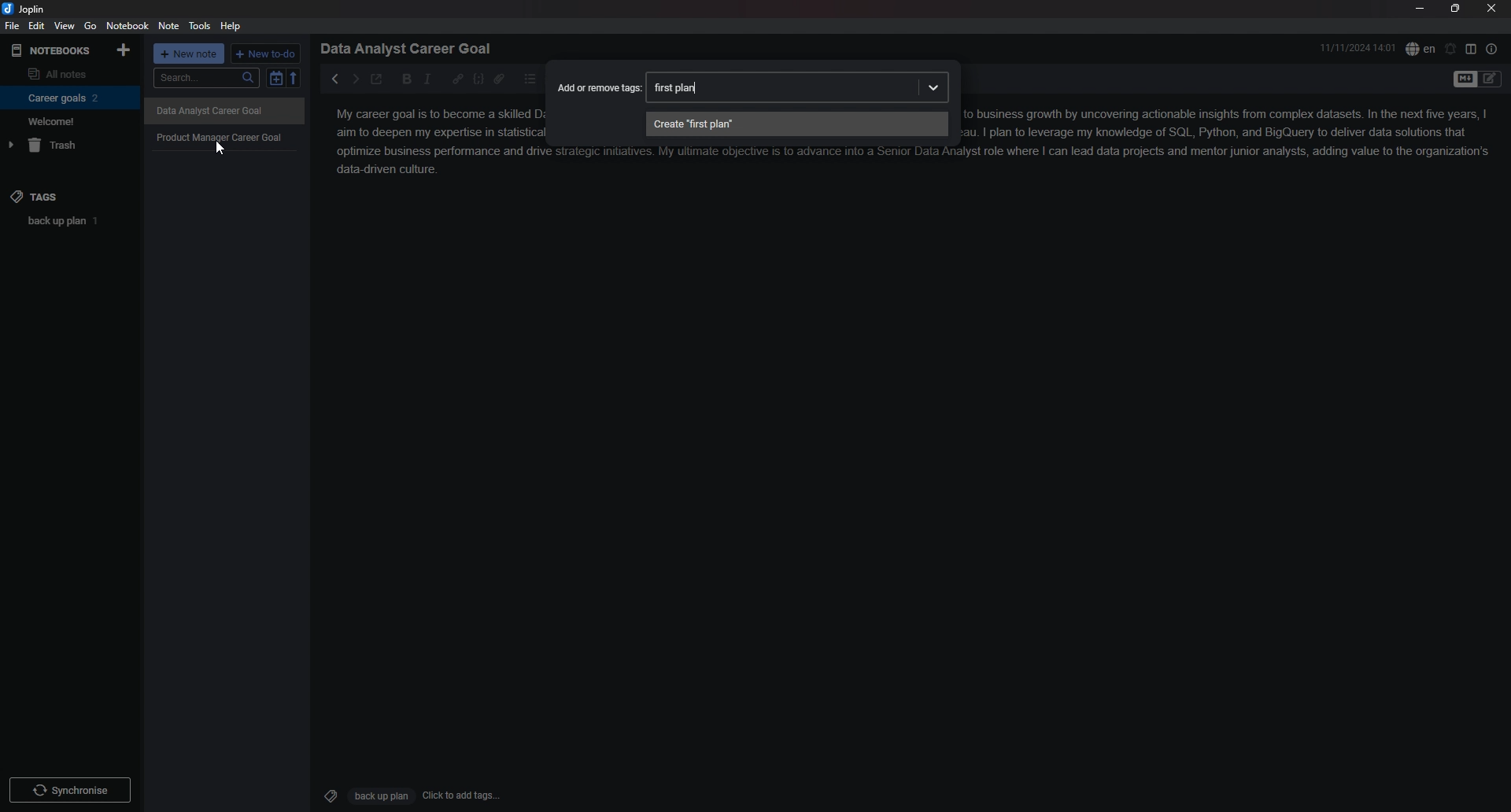 This screenshot has width=1511, height=812. What do you see at coordinates (1492, 49) in the screenshot?
I see `note properties` at bounding box center [1492, 49].